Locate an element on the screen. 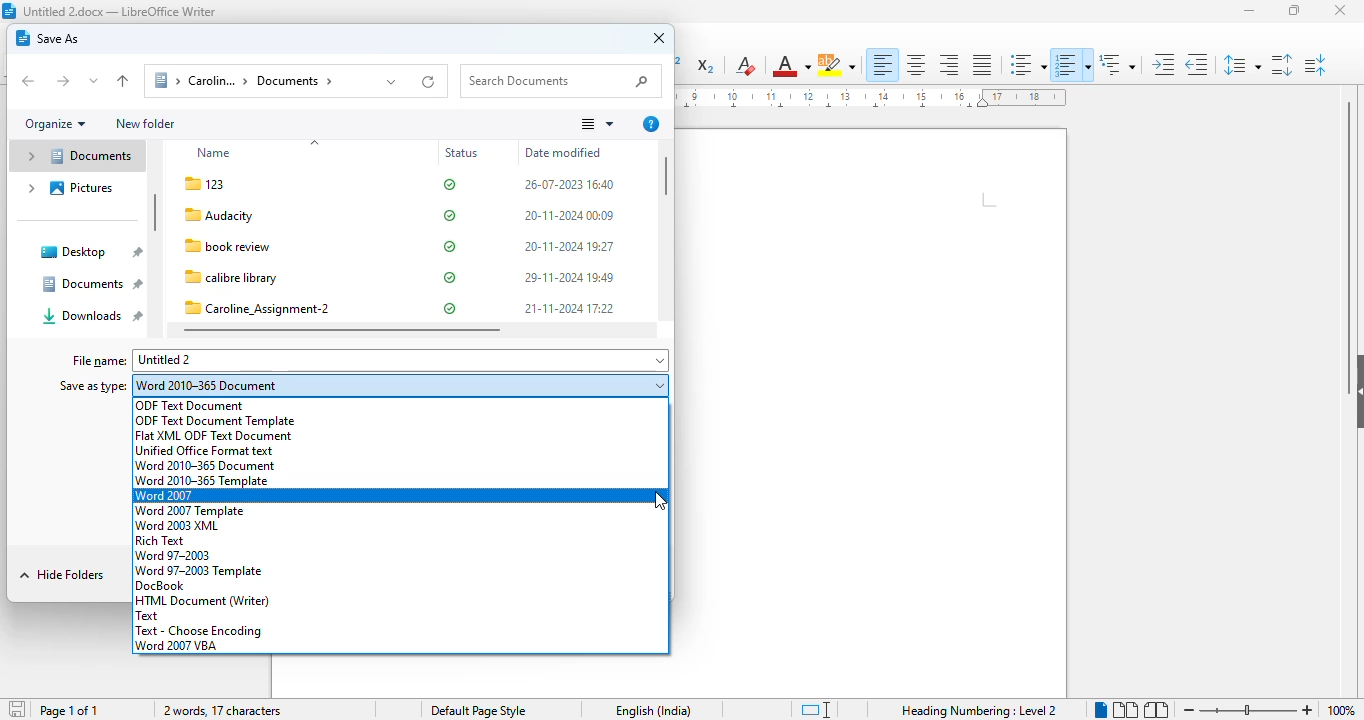 The width and height of the screenshot is (1364, 720). file name:  is located at coordinates (99, 361).